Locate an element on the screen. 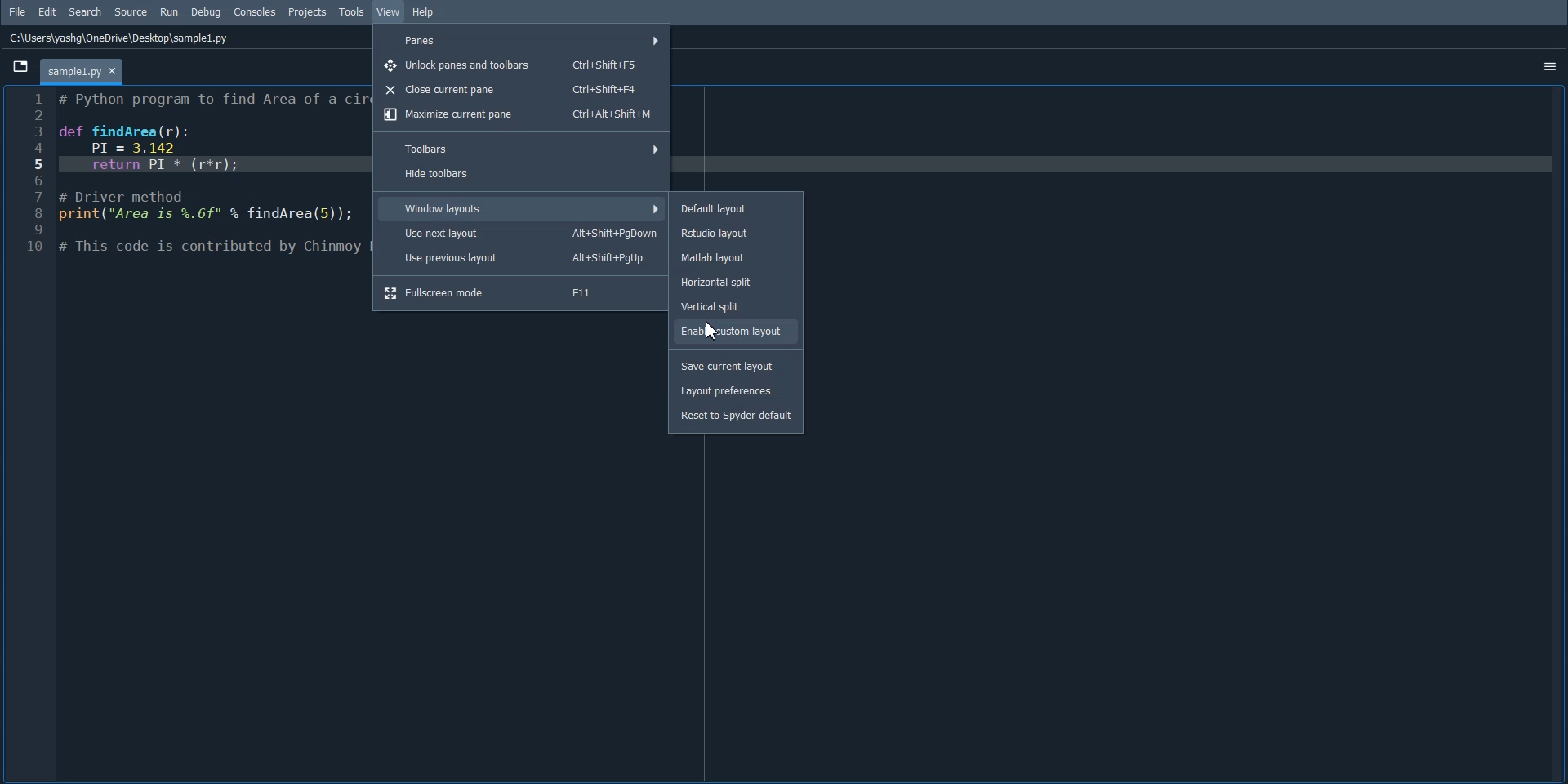  Horizontal split is located at coordinates (735, 283).